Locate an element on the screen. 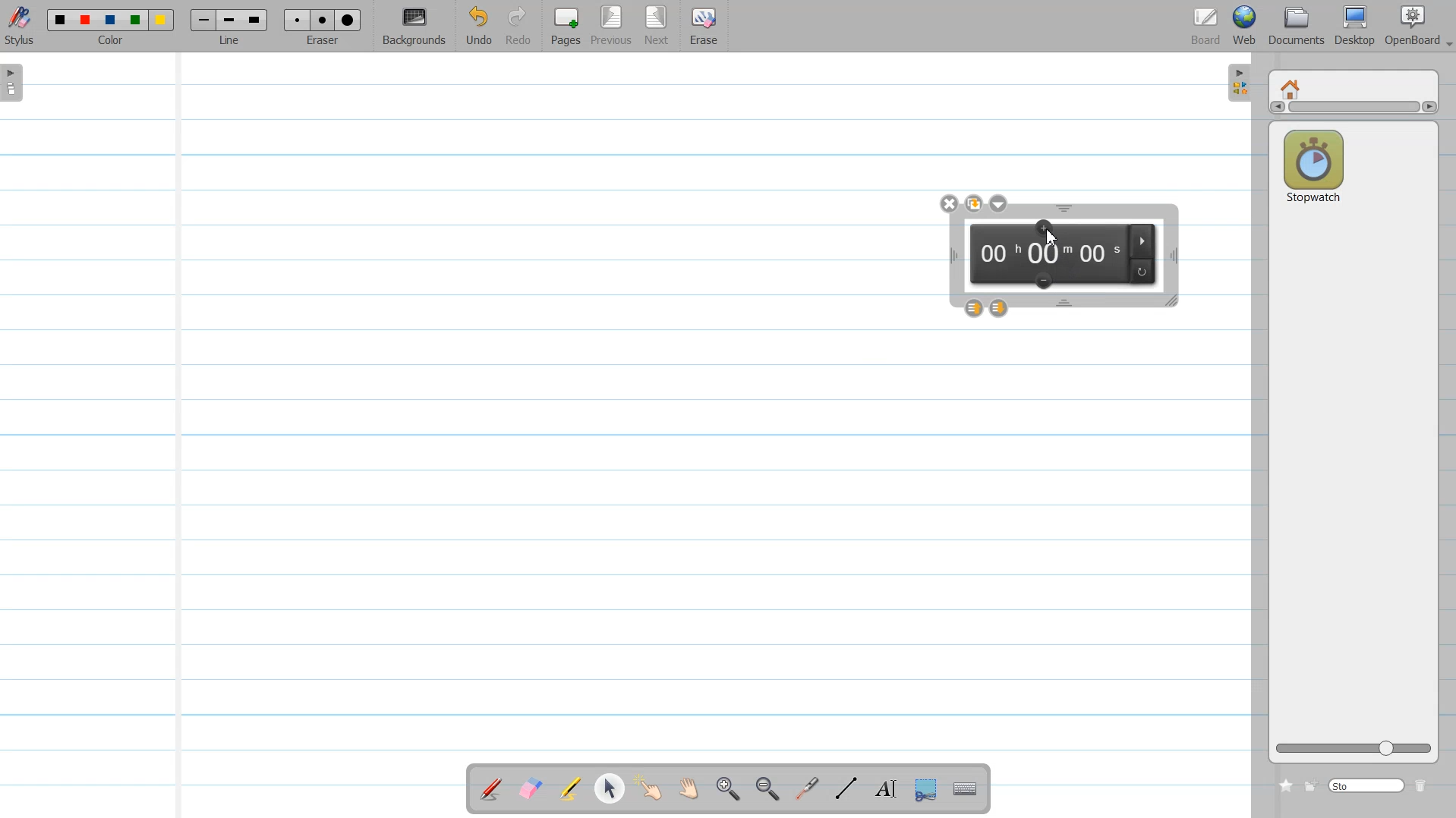 The width and height of the screenshot is (1456, 818). Erase is located at coordinates (704, 27).